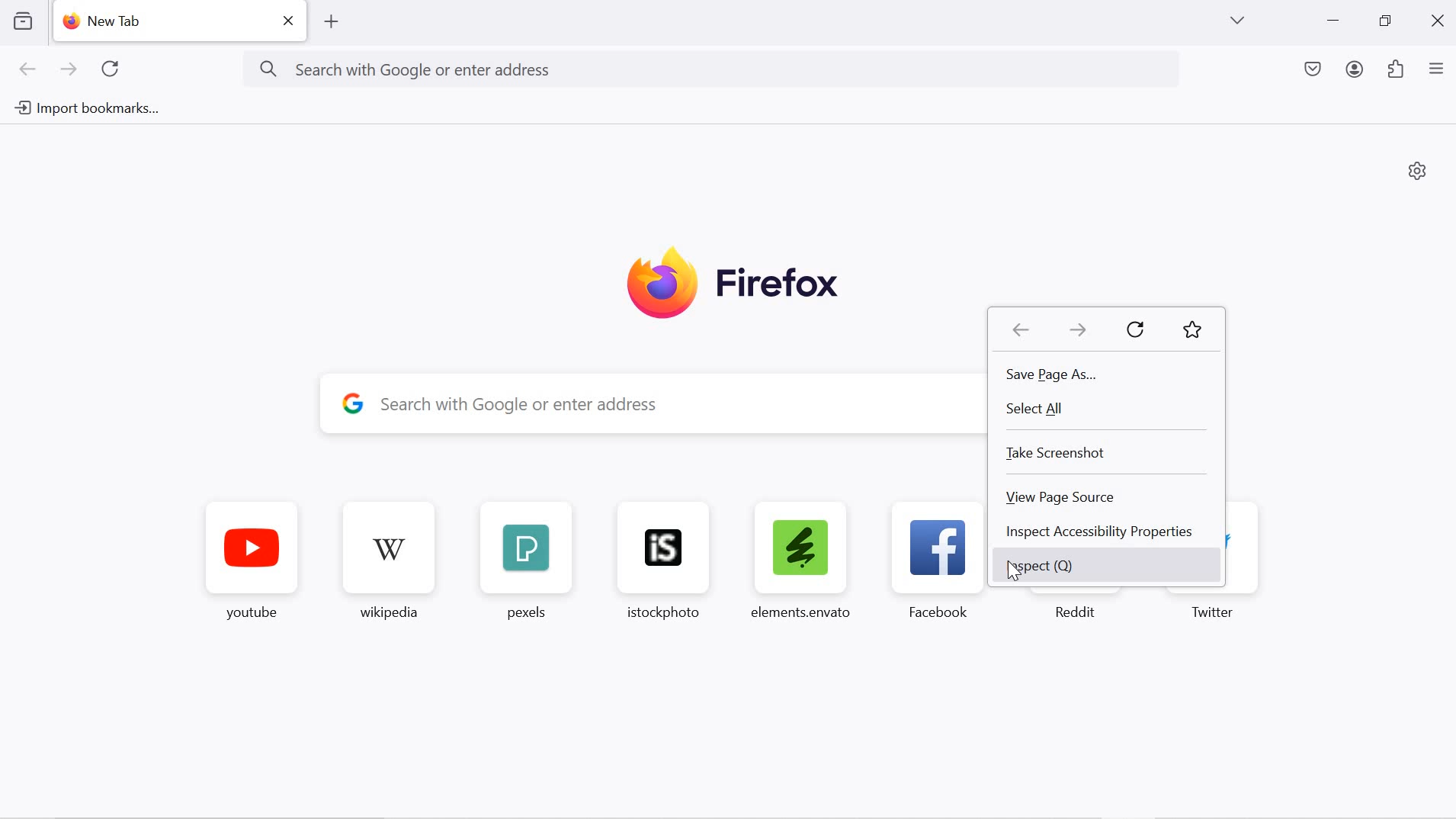 The width and height of the screenshot is (1456, 819). Describe the element at coordinates (728, 282) in the screenshot. I see `Firefox Logo` at that location.